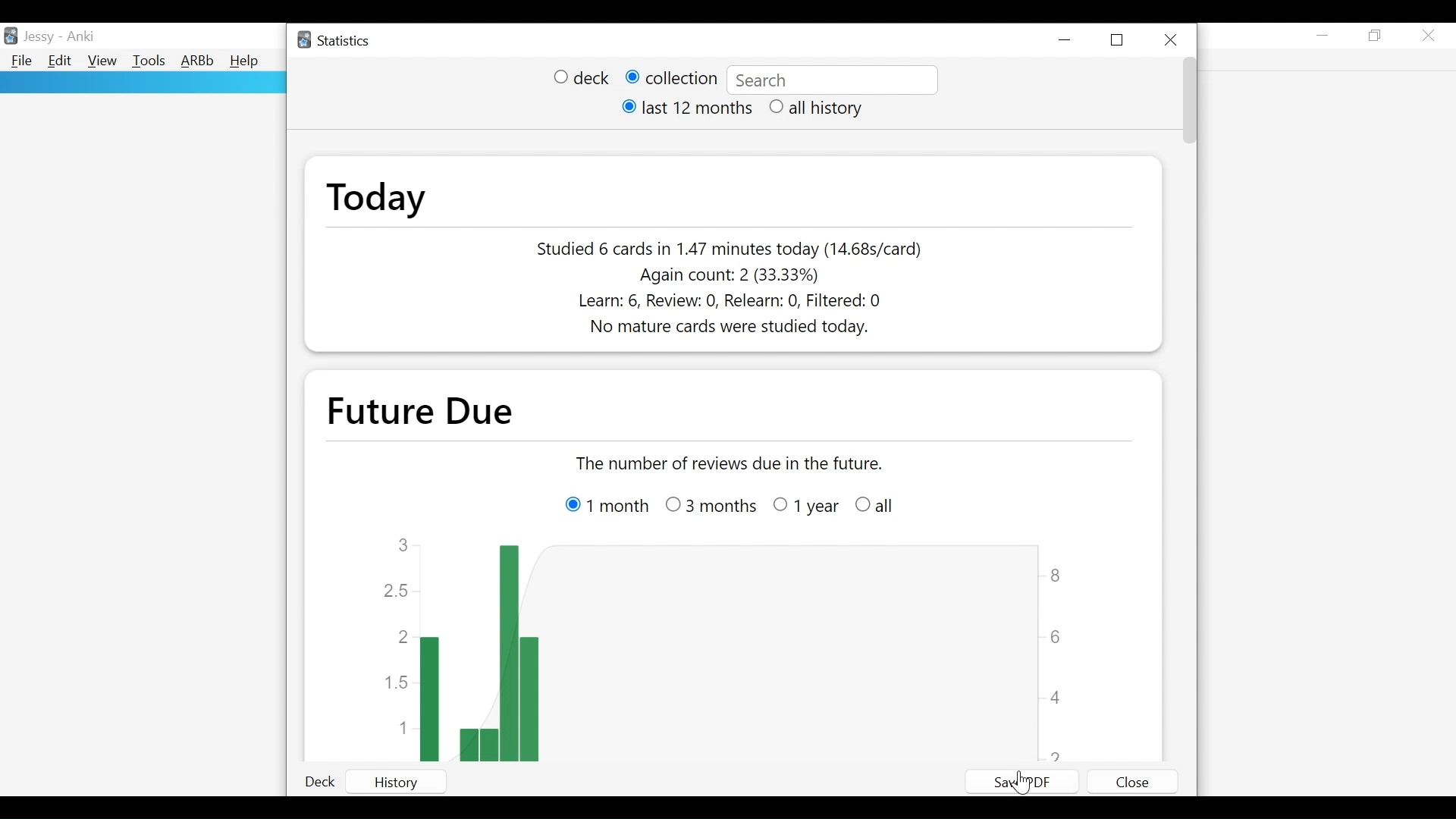 The height and width of the screenshot is (819, 1456). What do you see at coordinates (1131, 782) in the screenshot?
I see `Close` at bounding box center [1131, 782].